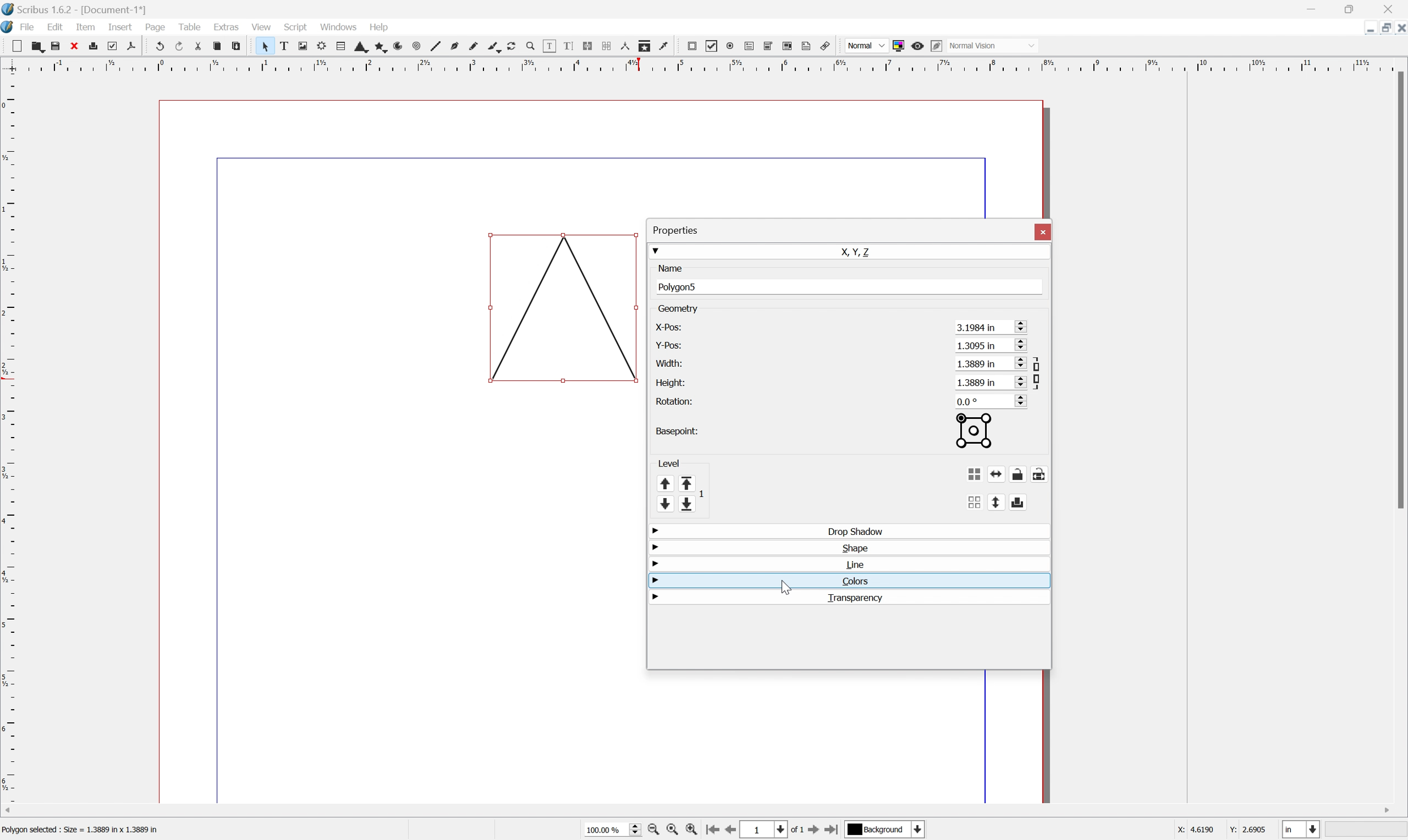 The width and height of the screenshot is (1408, 840). What do you see at coordinates (657, 532) in the screenshot?
I see `Drop Down` at bounding box center [657, 532].